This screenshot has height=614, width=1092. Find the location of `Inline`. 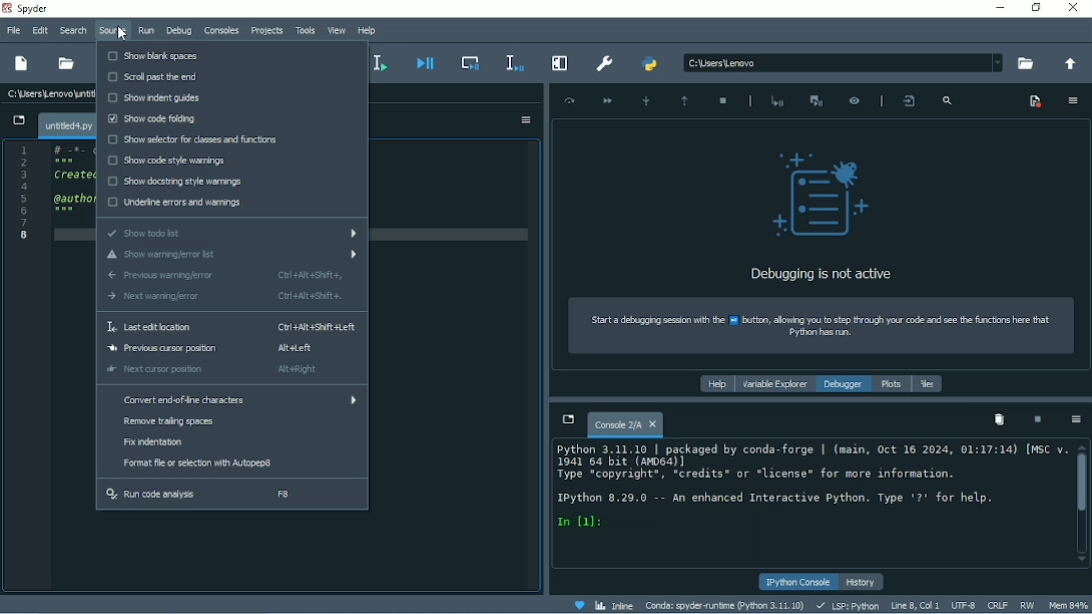

Inline is located at coordinates (614, 606).